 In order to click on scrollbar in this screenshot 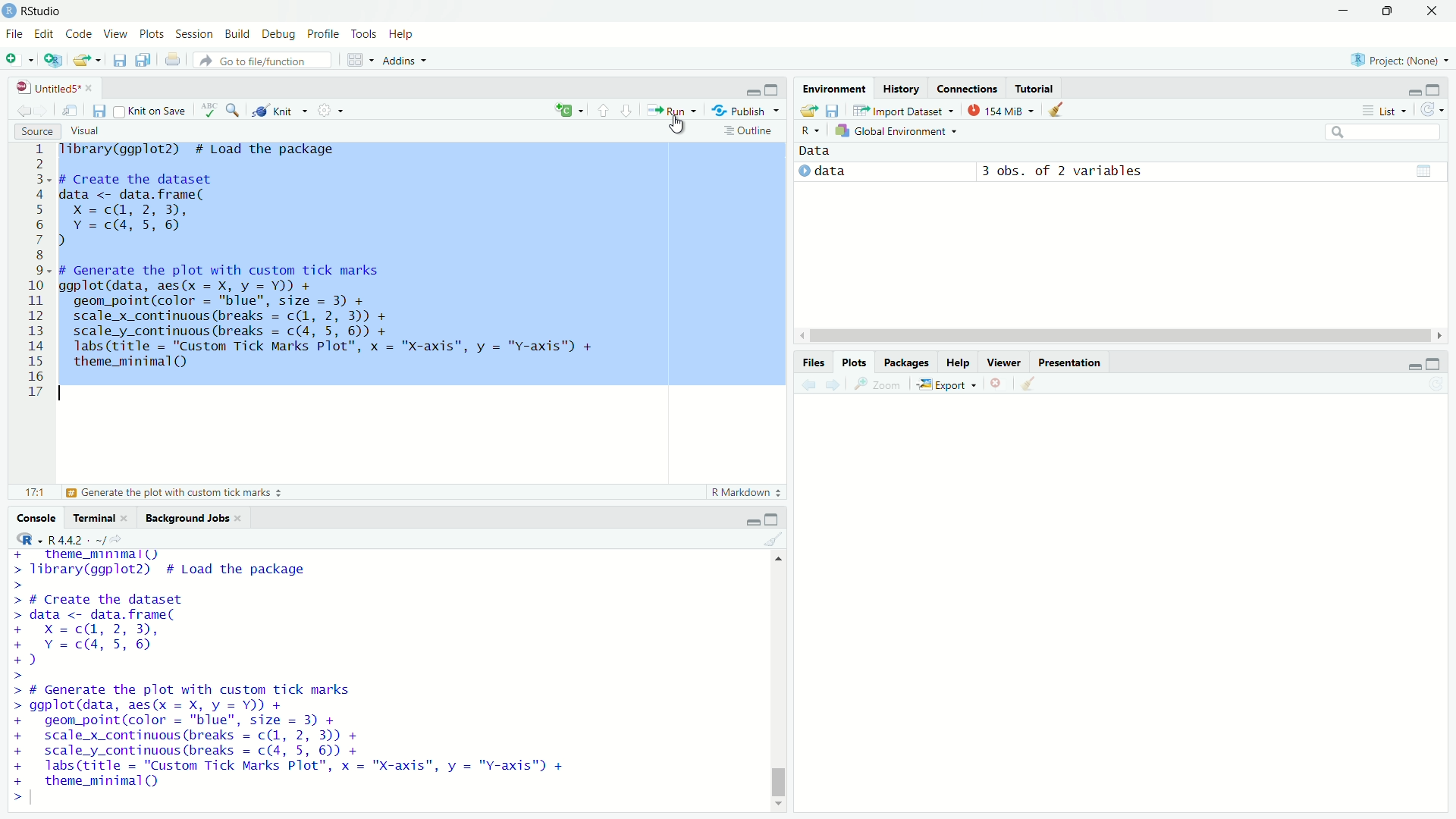, I will do `click(1116, 335)`.